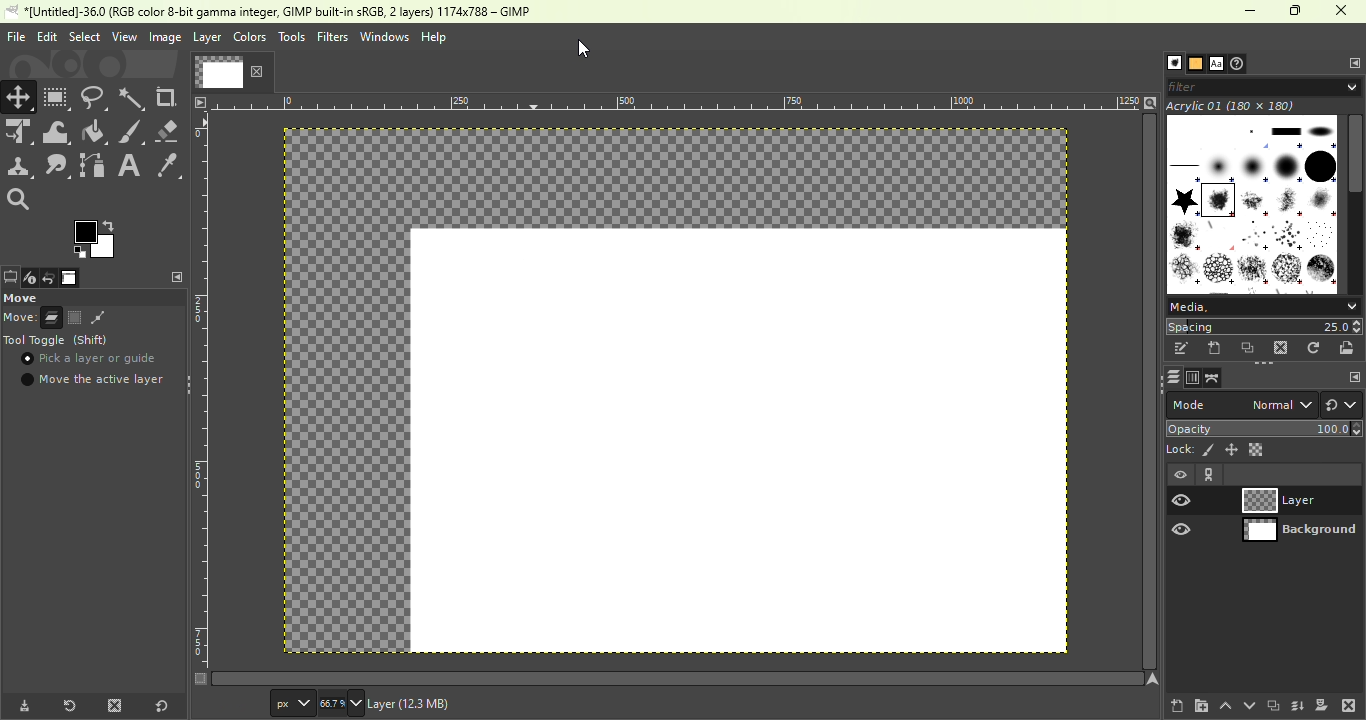  I want to click on Close, so click(1344, 12).